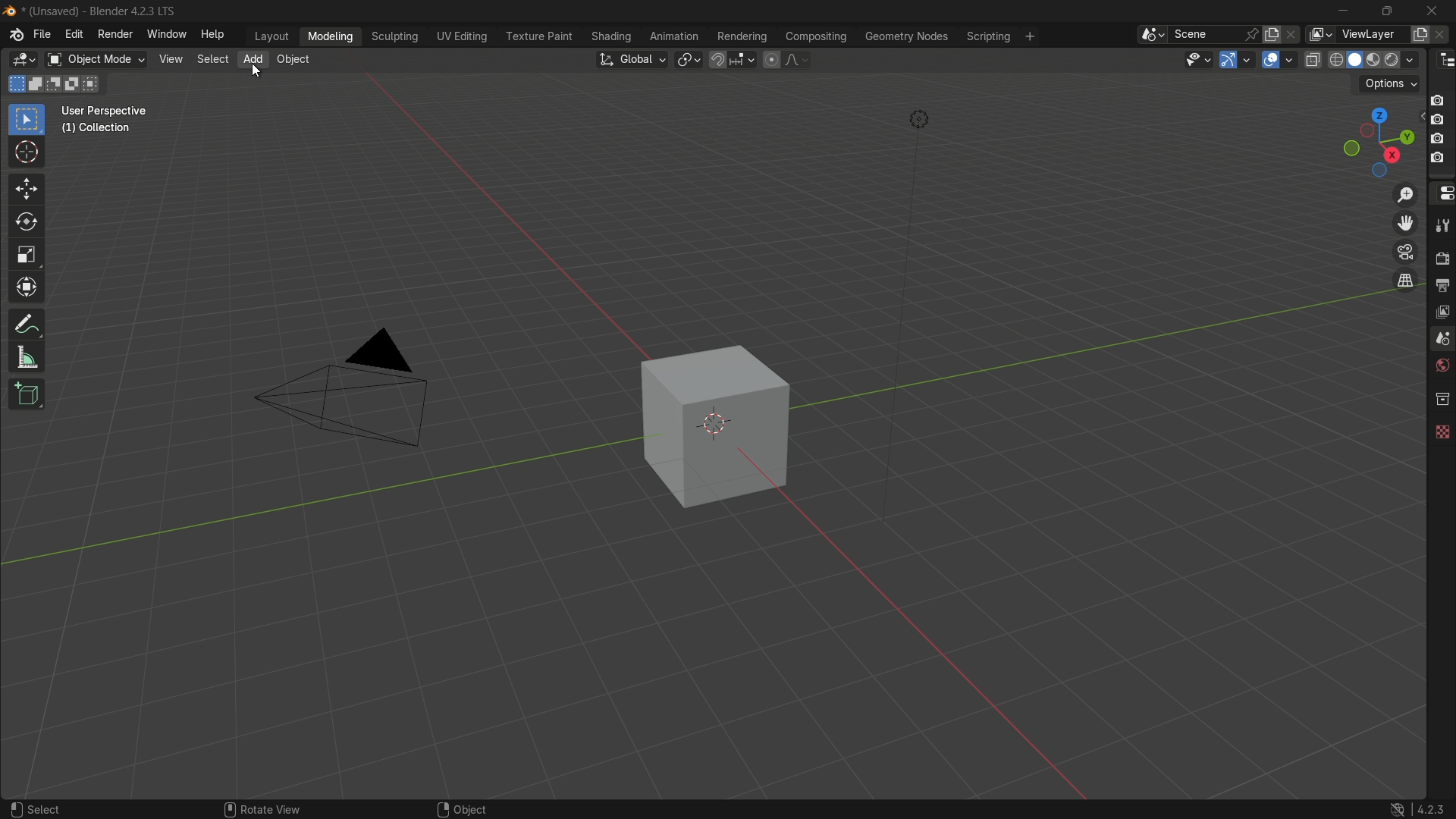 This screenshot has height=819, width=1456. I want to click on minimize, so click(1343, 12).